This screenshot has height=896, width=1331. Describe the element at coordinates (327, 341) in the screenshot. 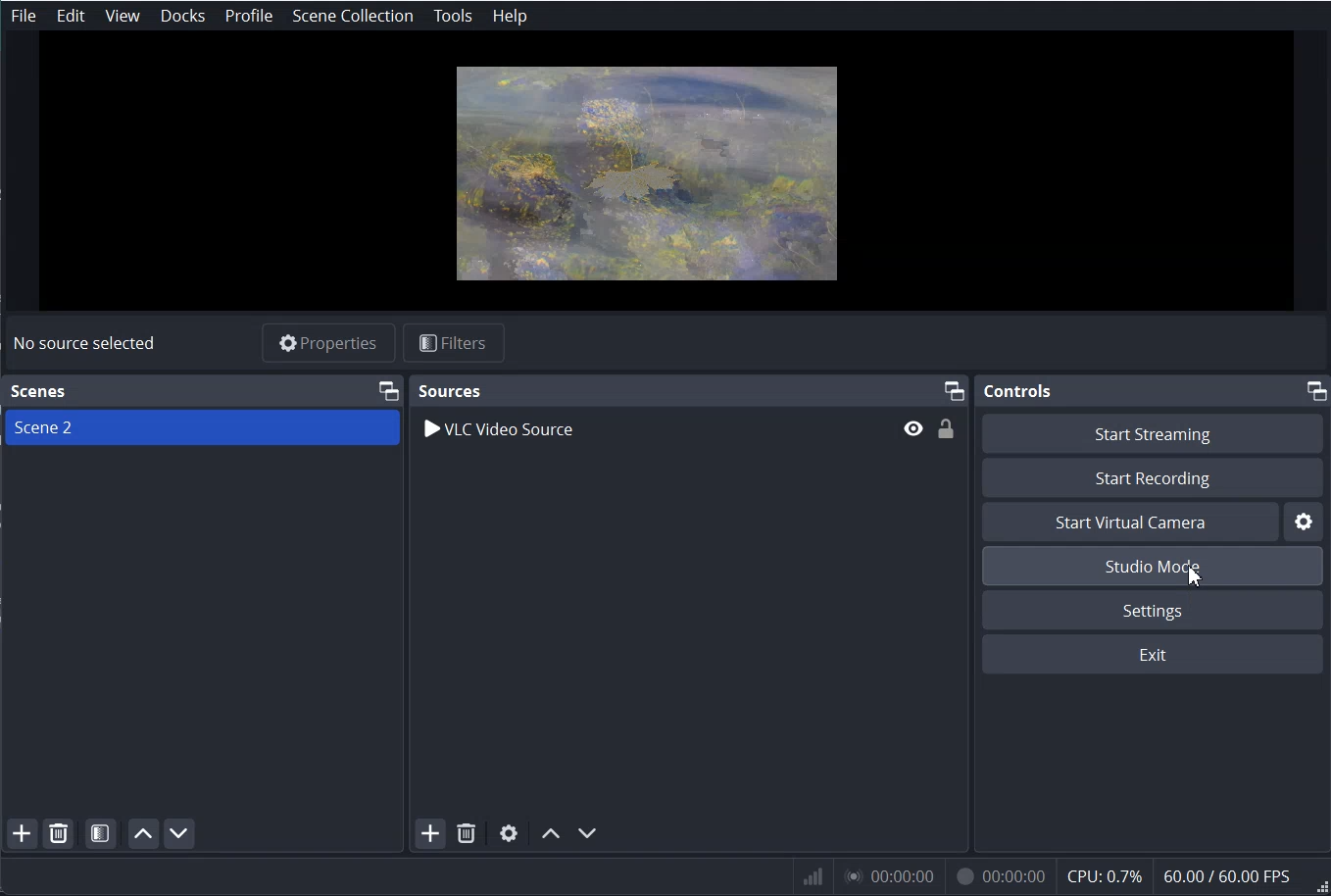

I see `Properties` at that location.